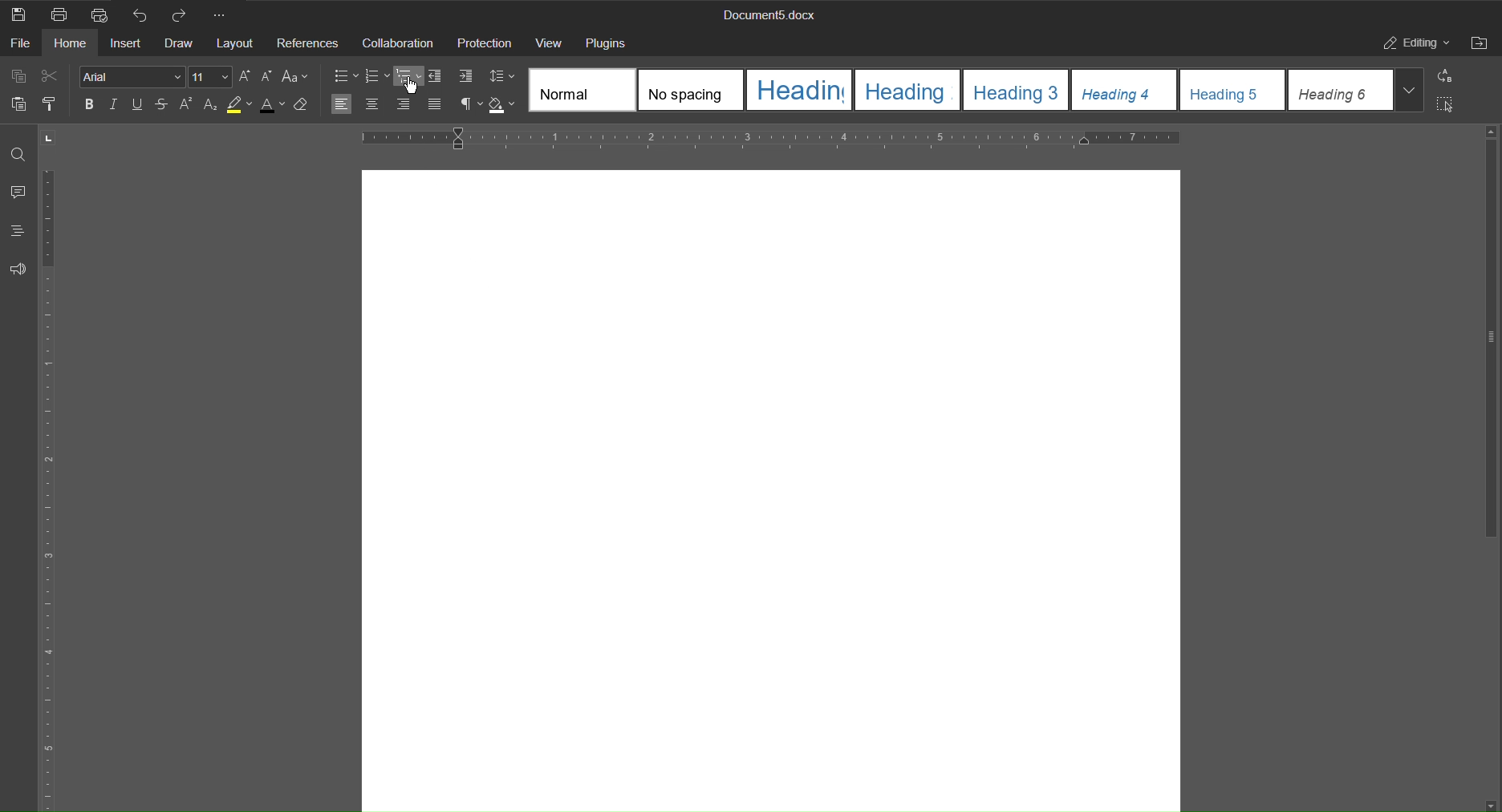  I want to click on Superscript, so click(188, 104).